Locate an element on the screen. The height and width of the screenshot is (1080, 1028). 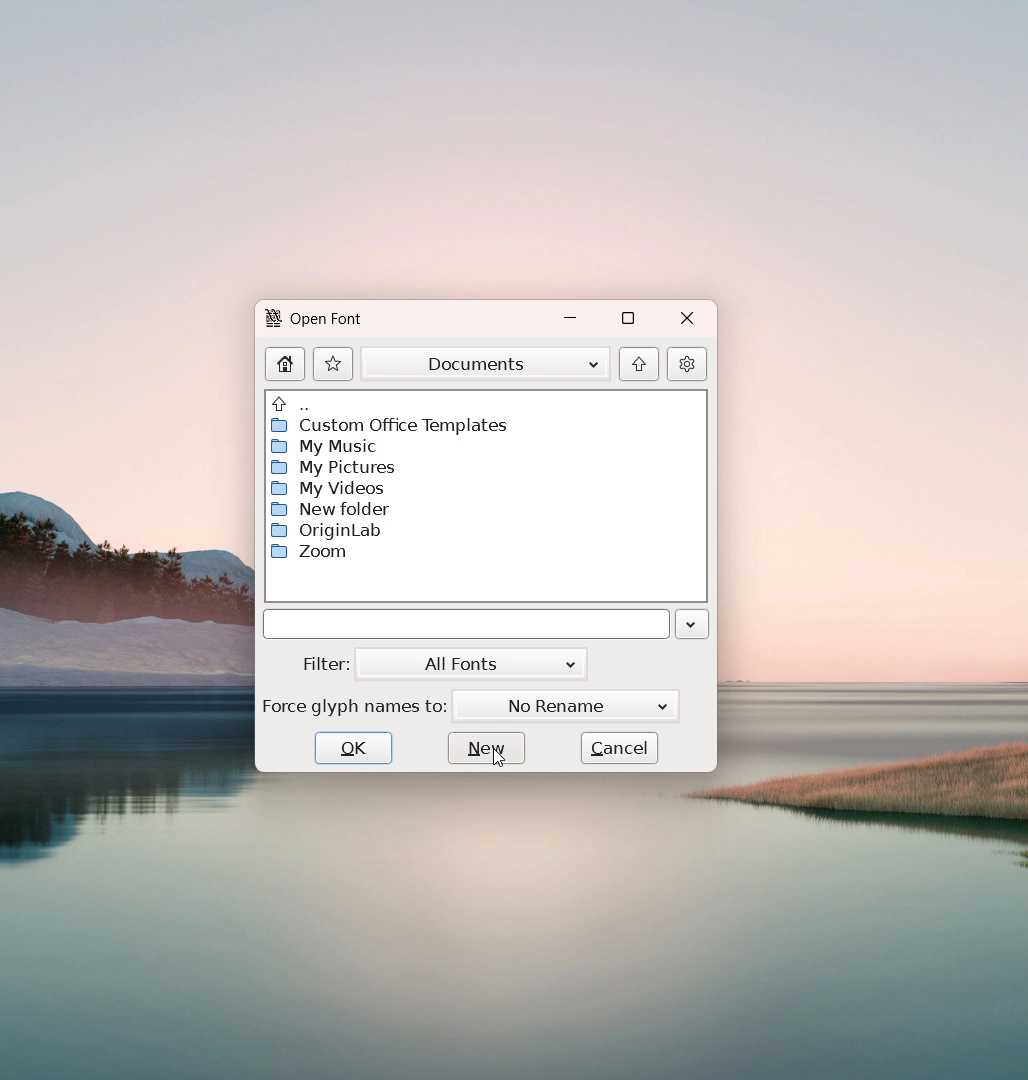
Force glyph name to: is located at coordinates (356, 704).